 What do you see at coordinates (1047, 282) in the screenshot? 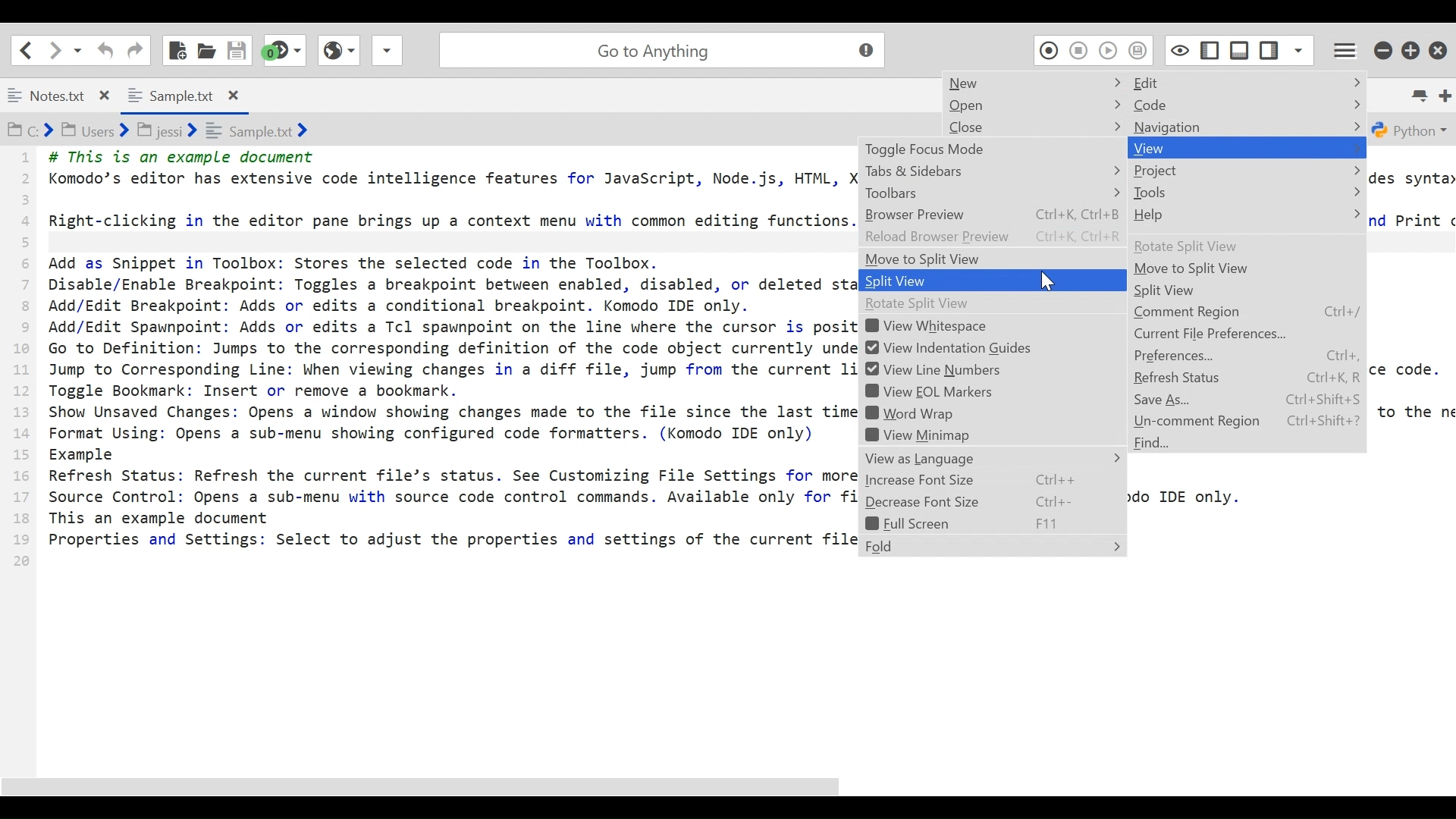
I see `Cursor` at bounding box center [1047, 282].